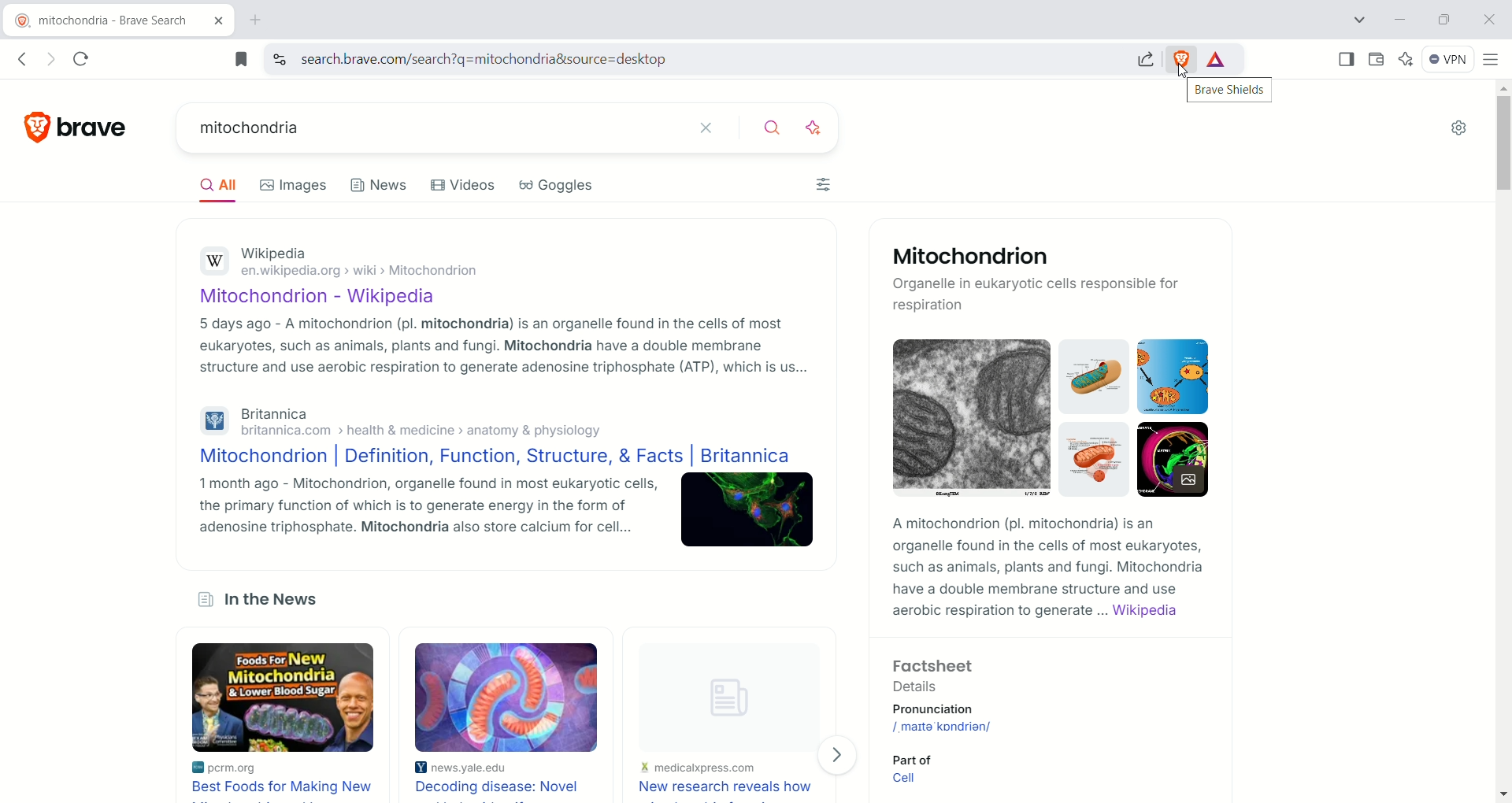 The image size is (1512, 803). What do you see at coordinates (280, 57) in the screenshot?
I see `view site information` at bounding box center [280, 57].